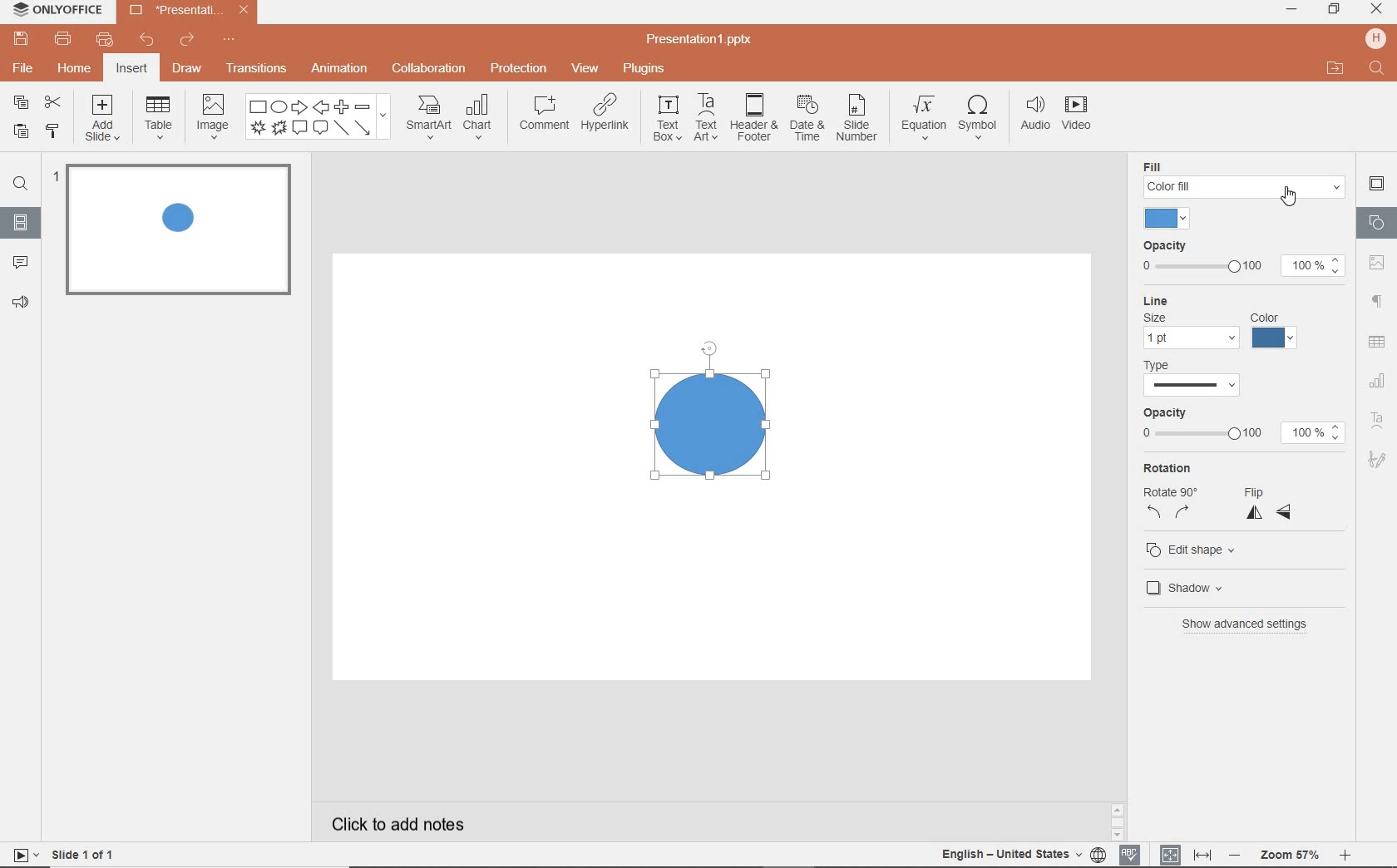 This screenshot has width=1397, height=868. I want to click on slide 1 of 1, so click(84, 853).